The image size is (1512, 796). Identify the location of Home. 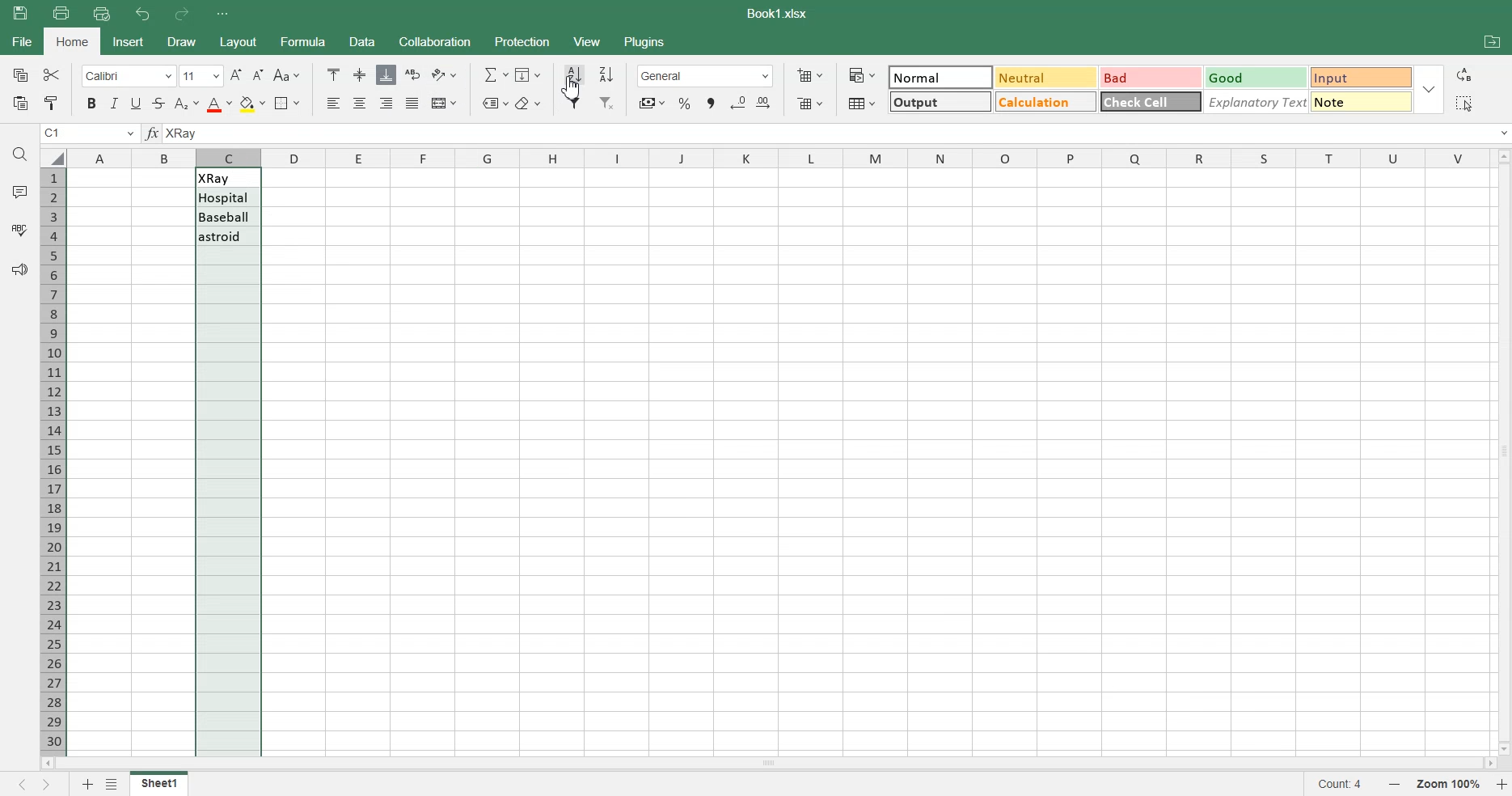
(74, 41).